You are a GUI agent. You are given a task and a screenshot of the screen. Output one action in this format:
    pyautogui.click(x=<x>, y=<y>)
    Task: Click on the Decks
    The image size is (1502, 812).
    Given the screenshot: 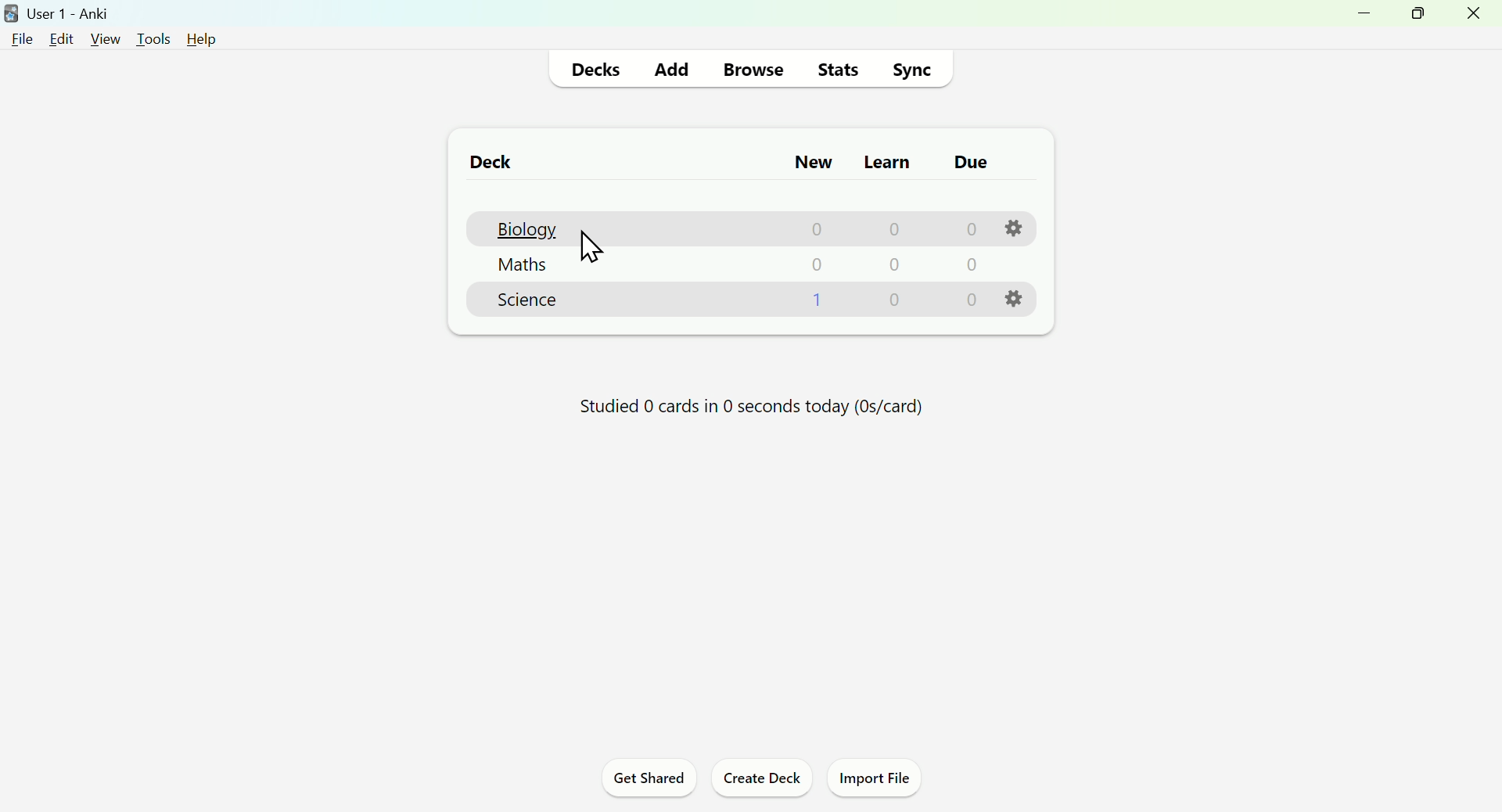 What is the action you would take?
    pyautogui.click(x=596, y=70)
    